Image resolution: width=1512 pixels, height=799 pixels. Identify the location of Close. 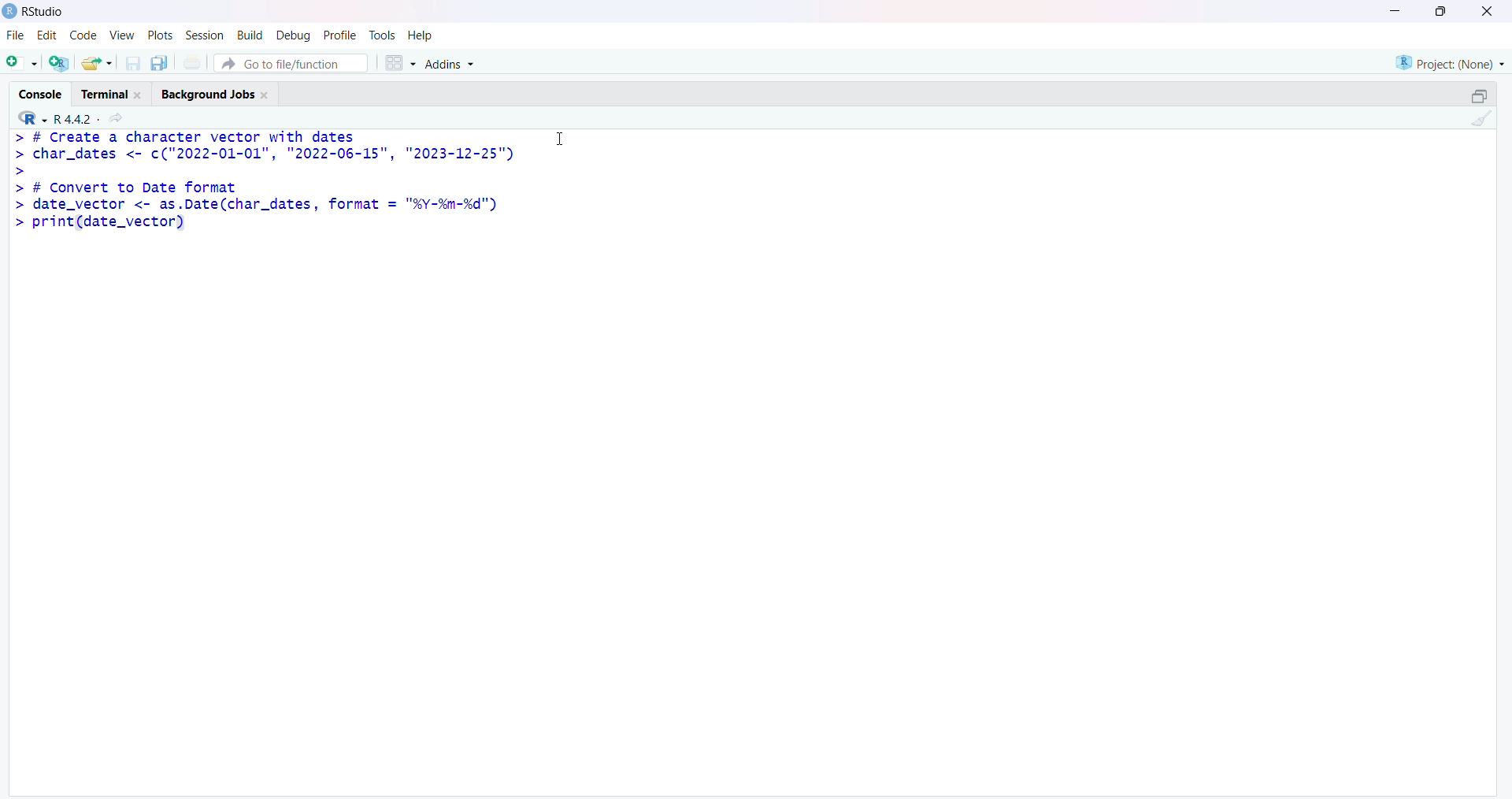
(1484, 14).